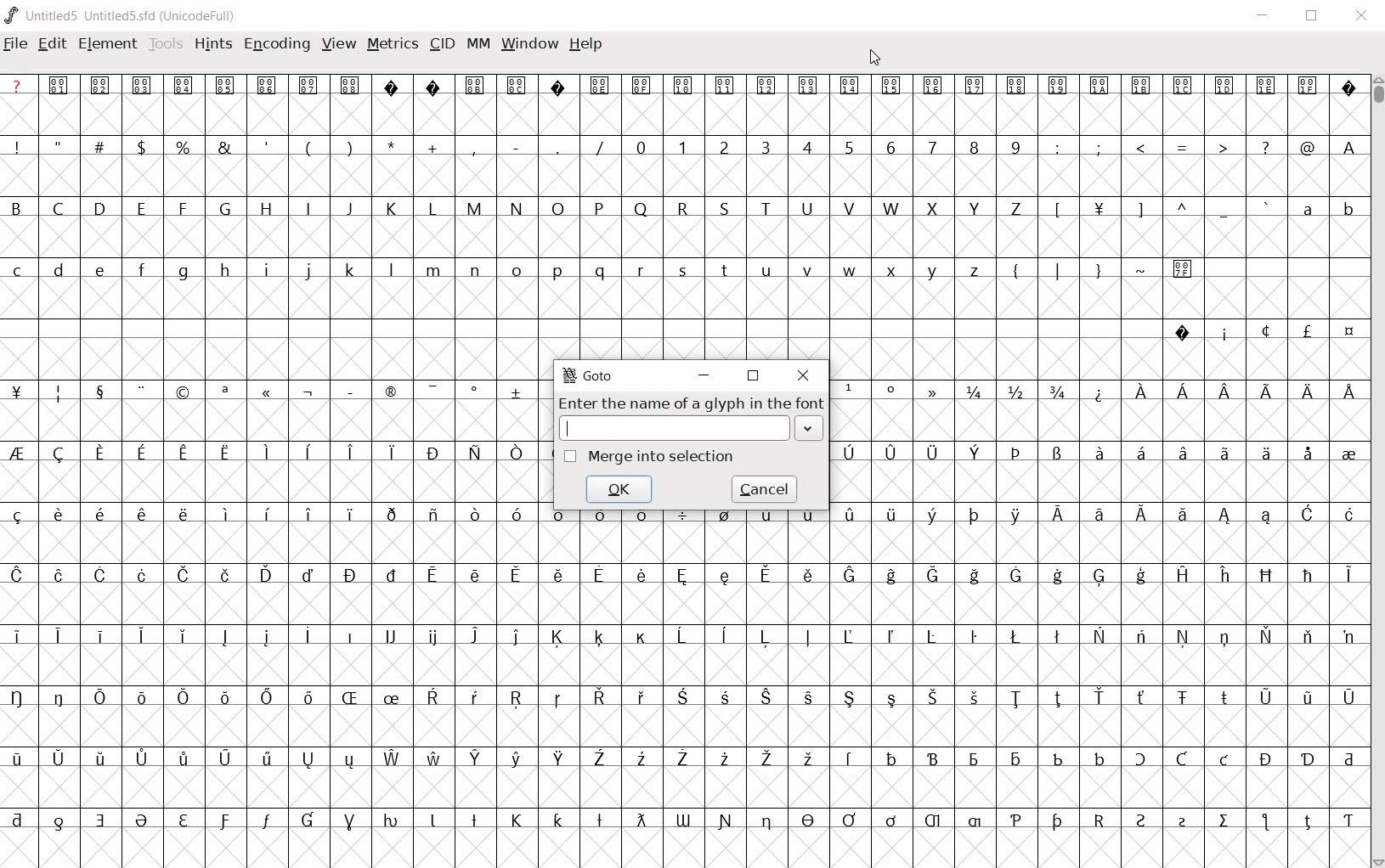 Image resolution: width=1385 pixels, height=868 pixels. What do you see at coordinates (1225, 454) in the screenshot?
I see `Symbol` at bounding box center [1225, 454].